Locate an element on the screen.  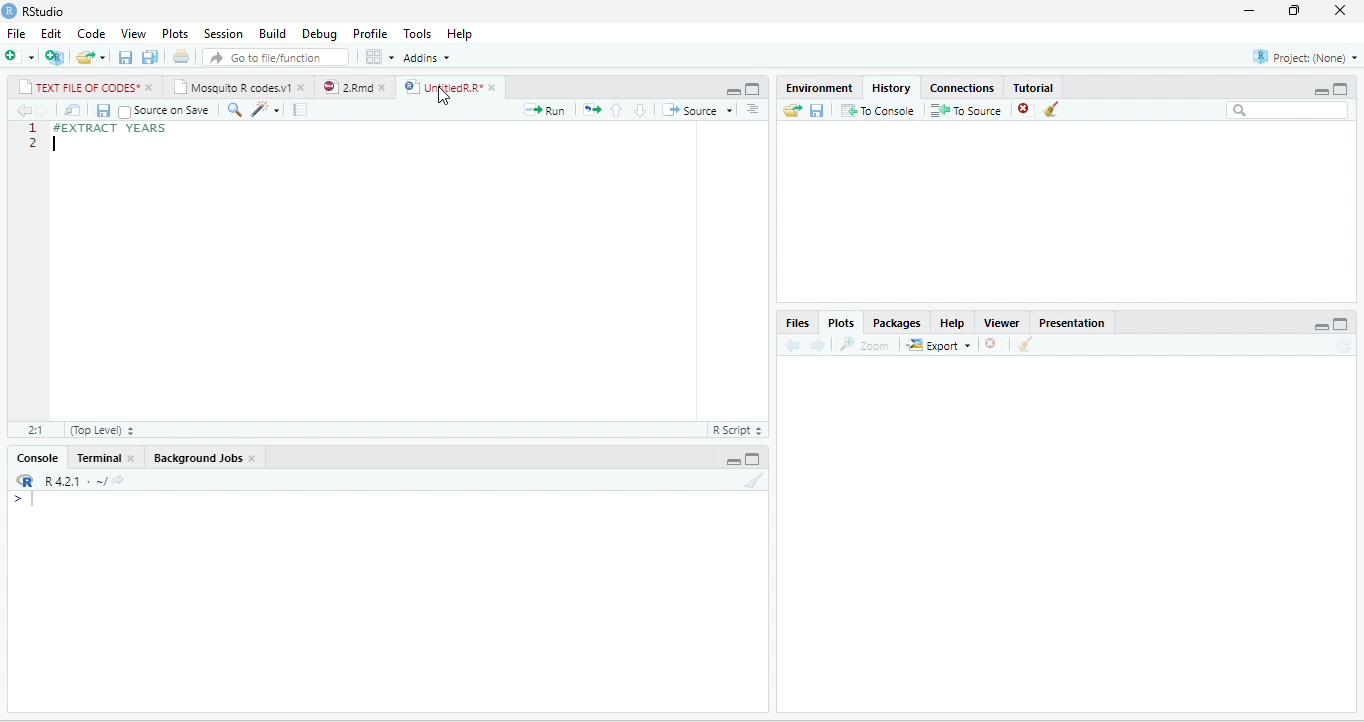
close is located at coordinates (151, 87).